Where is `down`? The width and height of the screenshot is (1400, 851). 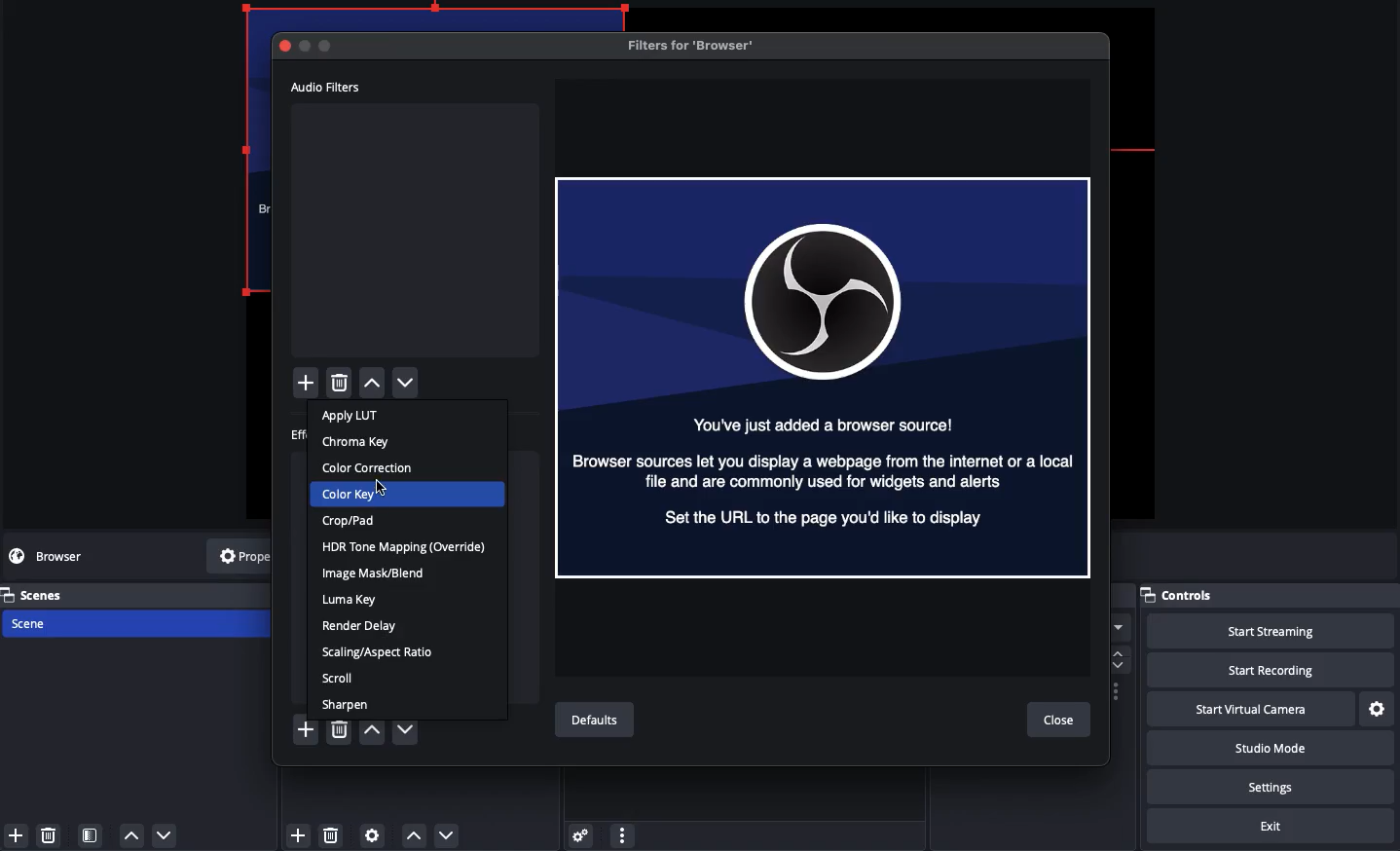
down is located at coordinates (406, 728).